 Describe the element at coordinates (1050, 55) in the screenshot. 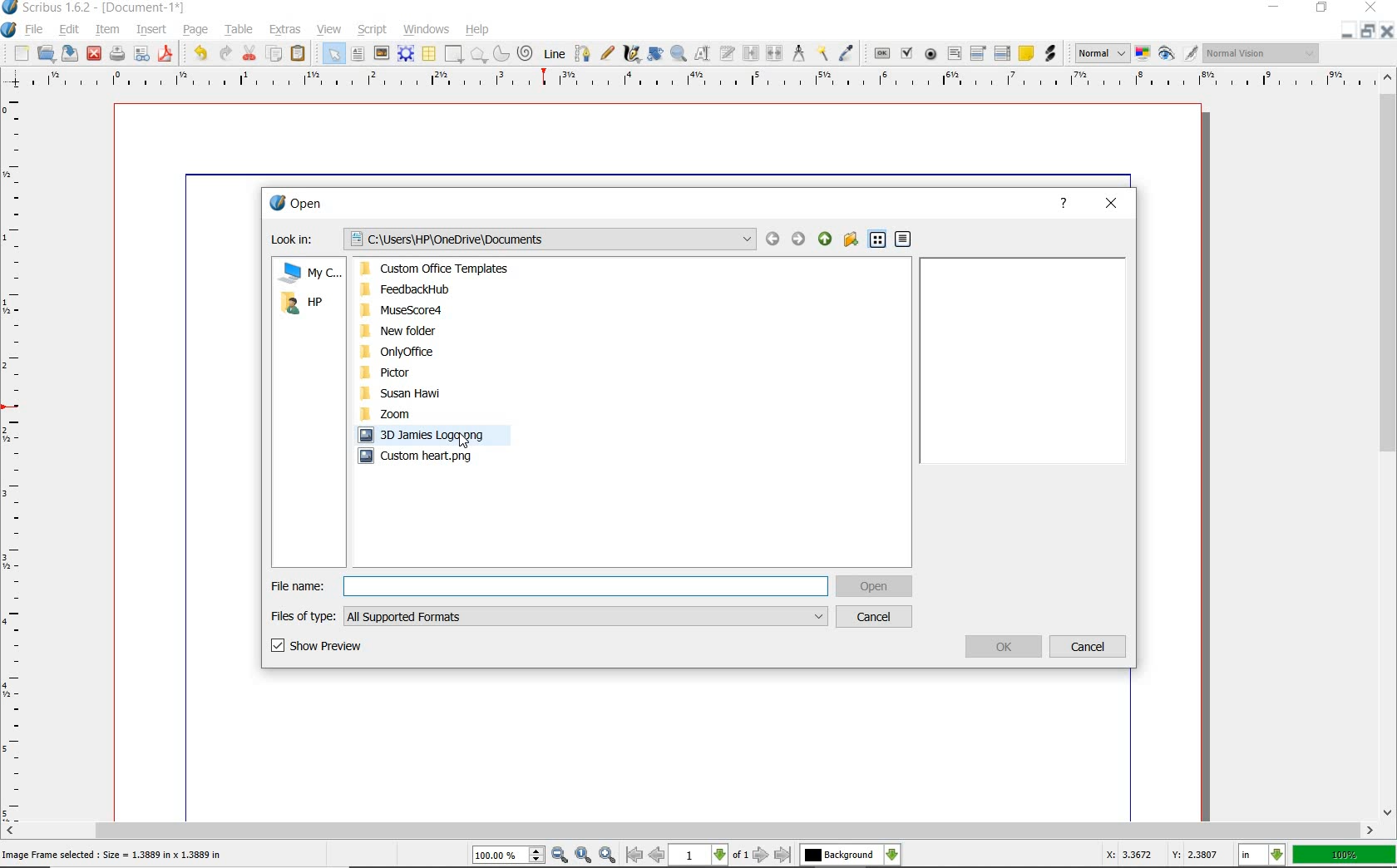

I see `link annotation` at that location.